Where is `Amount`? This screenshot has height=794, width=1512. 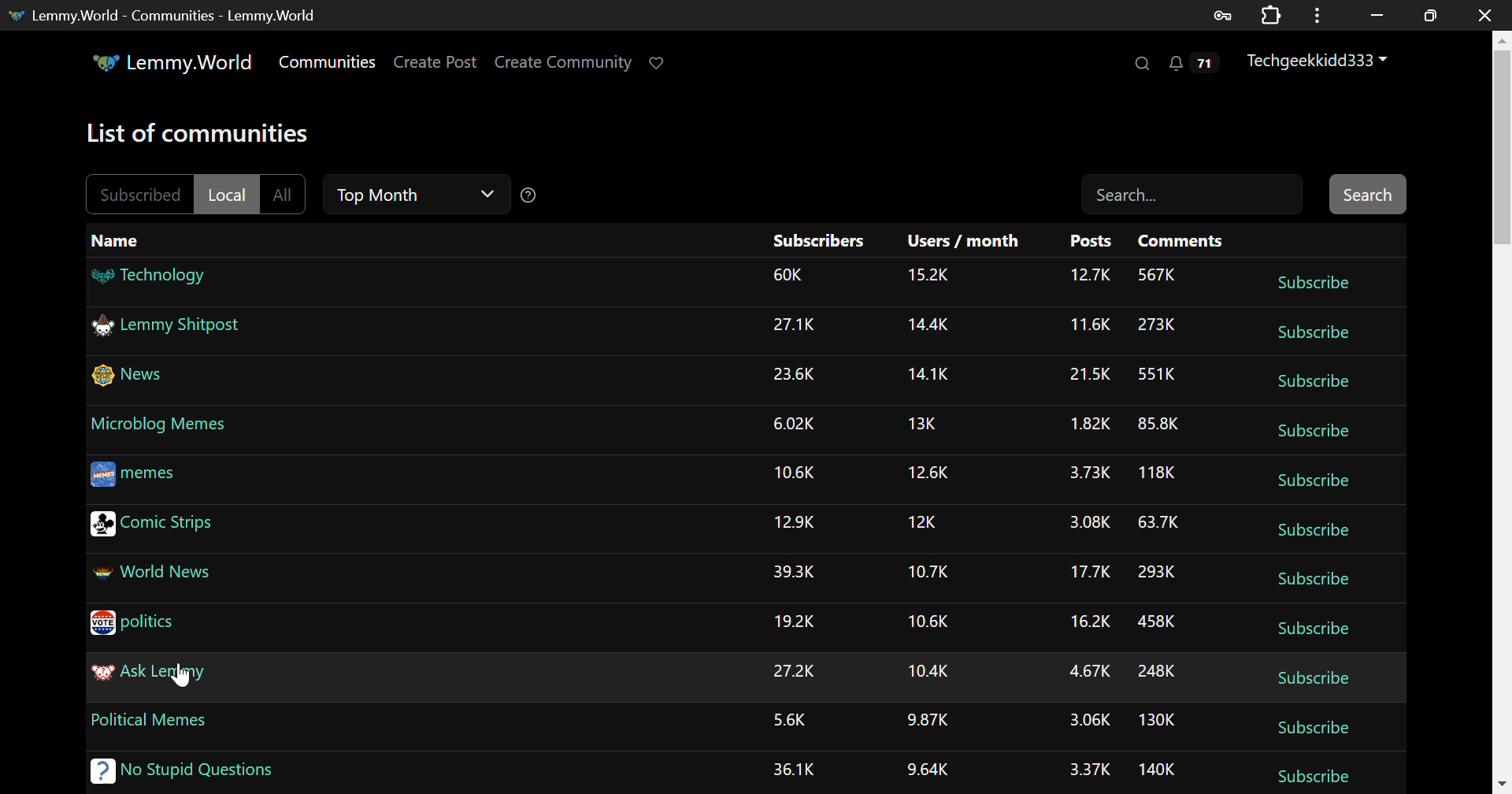 Amount is located at coordinates (1085, 473).